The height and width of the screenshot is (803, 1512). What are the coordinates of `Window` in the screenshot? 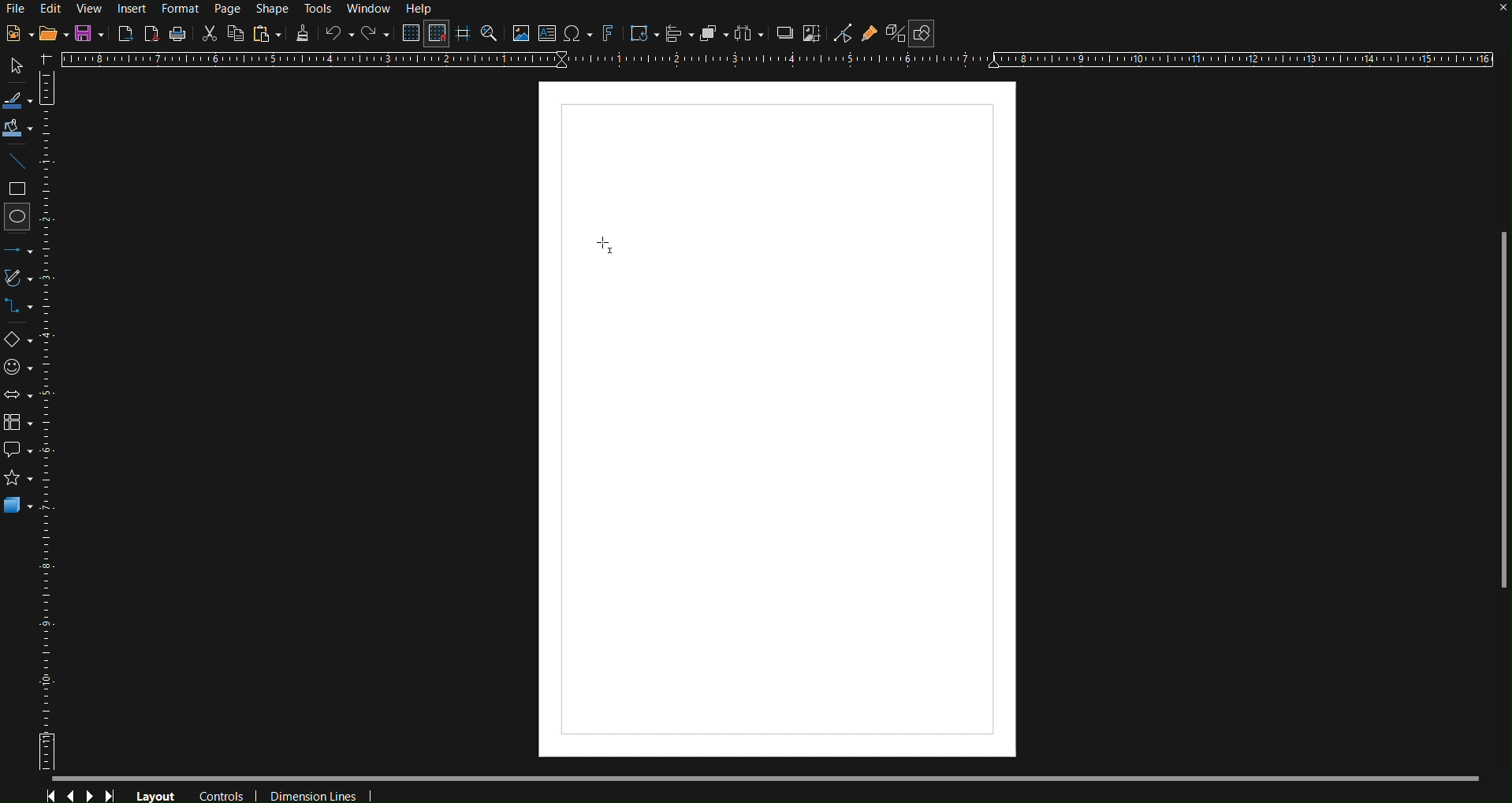 It's located at (372, 10).